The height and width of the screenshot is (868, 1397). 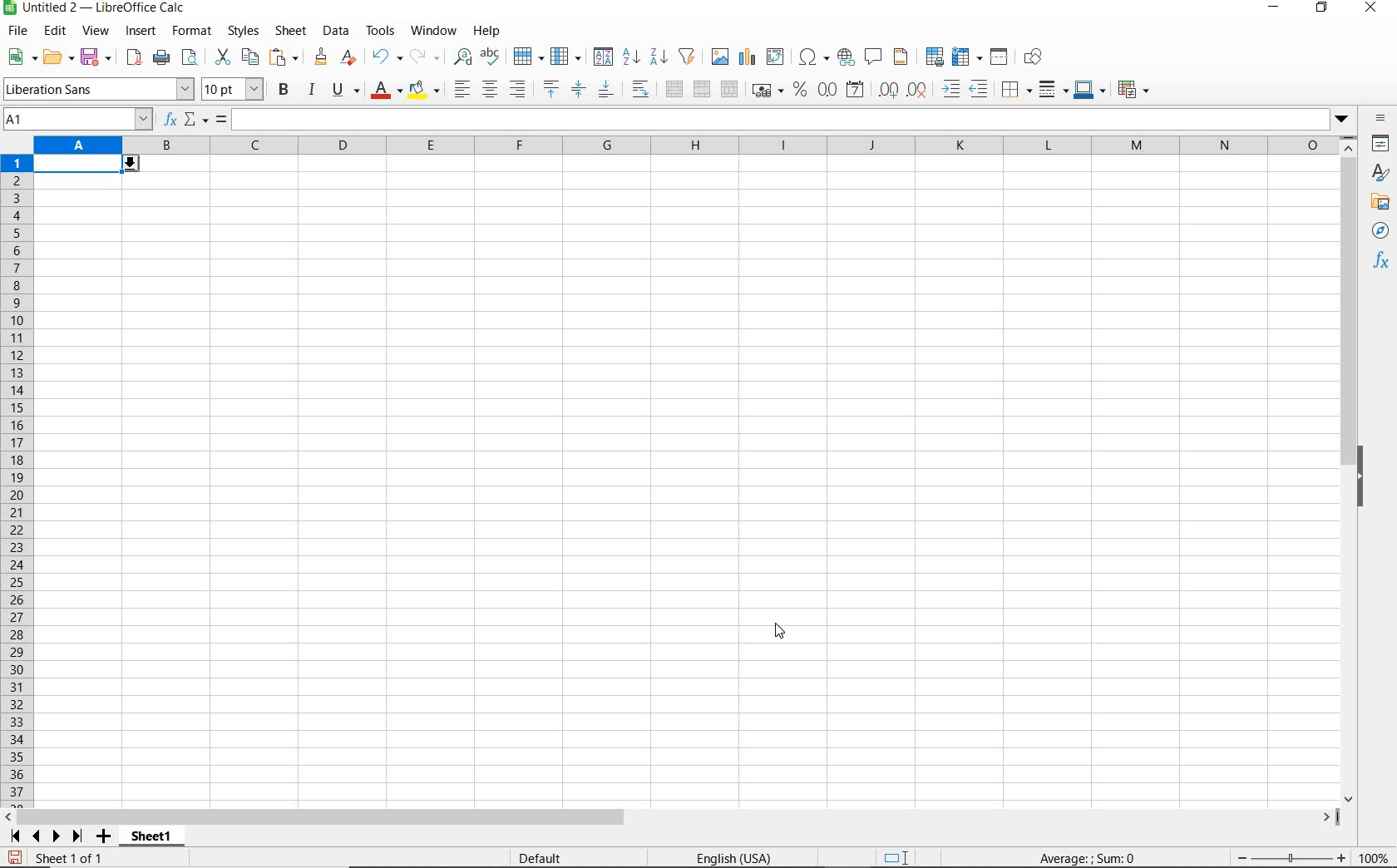 I want to click on coditional, so click(x=1132, y=90).